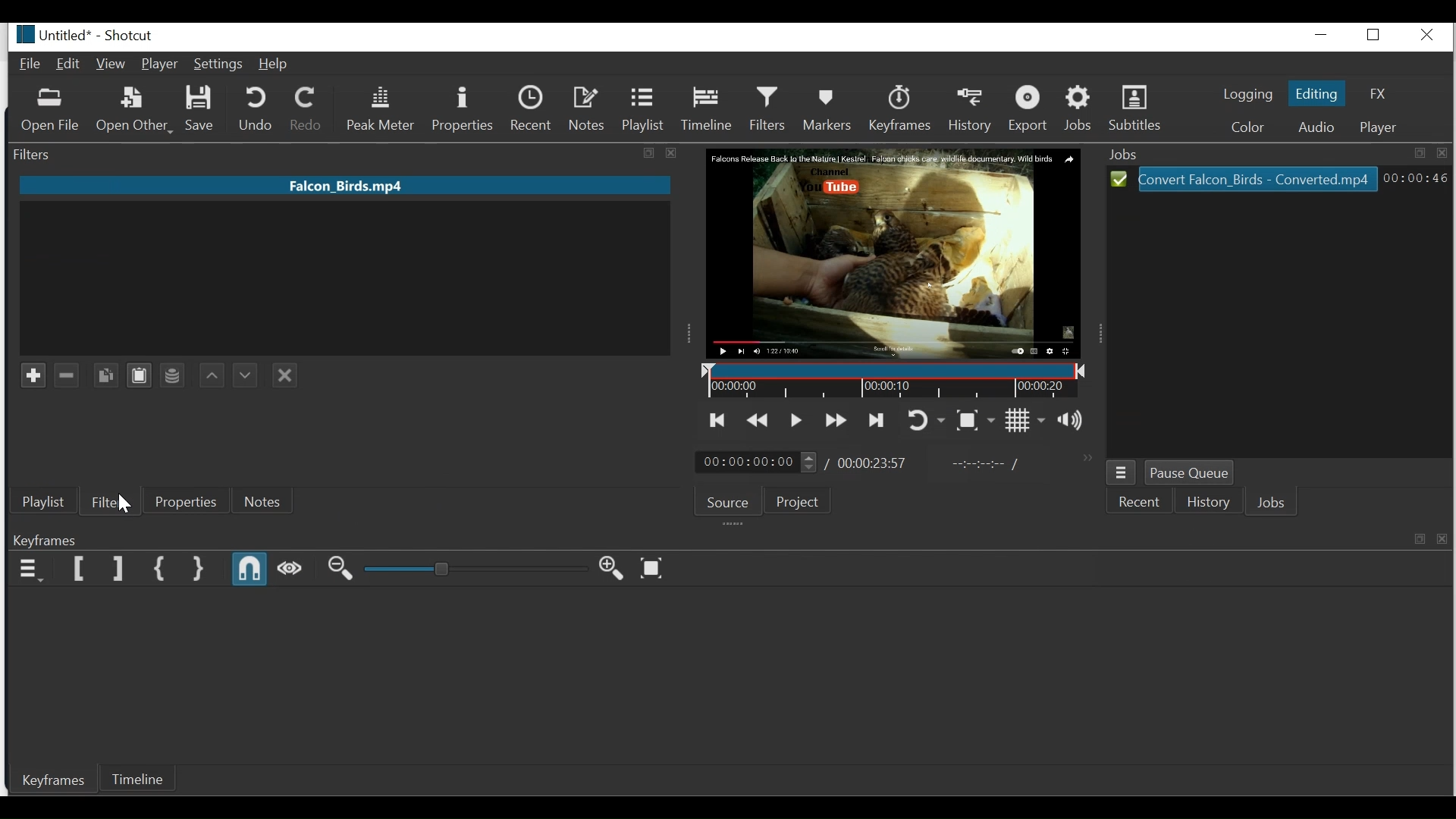 This screenshot has height=819, width=1456. Describe the element at coordinates (754, 463) in the screenshot. I see `00:00:00:00(Current position)` at that location.